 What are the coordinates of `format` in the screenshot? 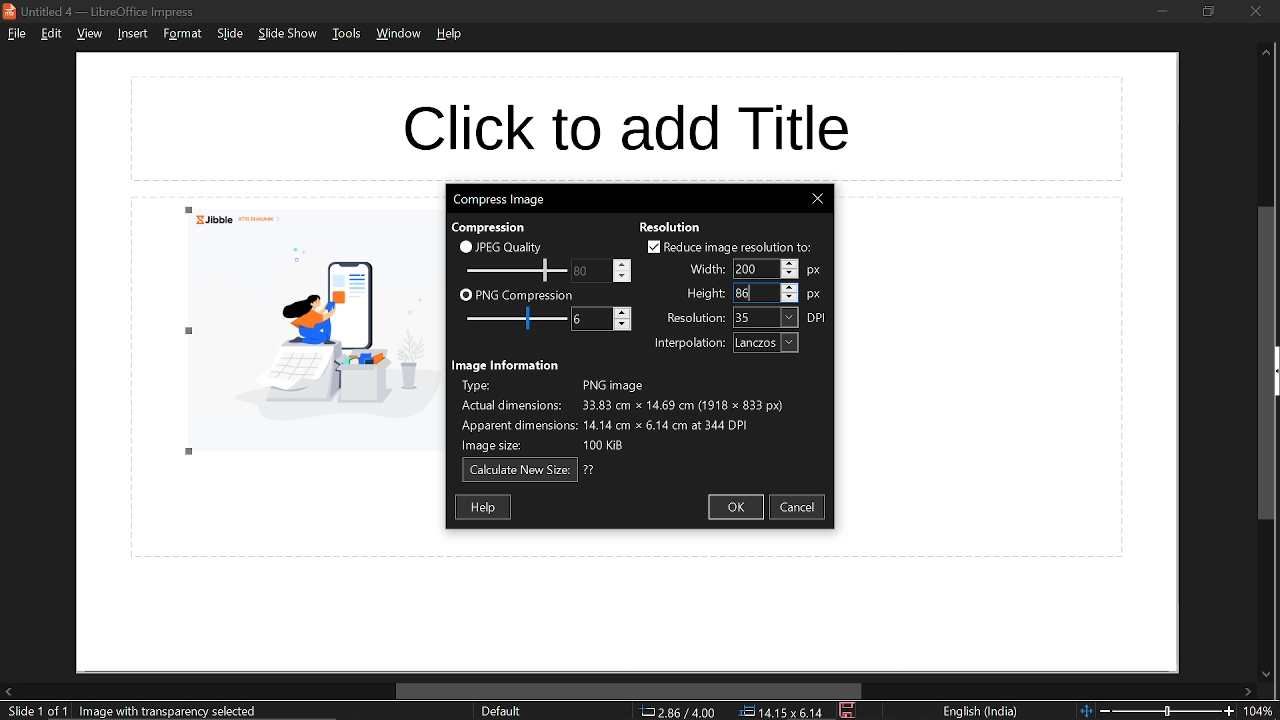 It's located at (182, 33).